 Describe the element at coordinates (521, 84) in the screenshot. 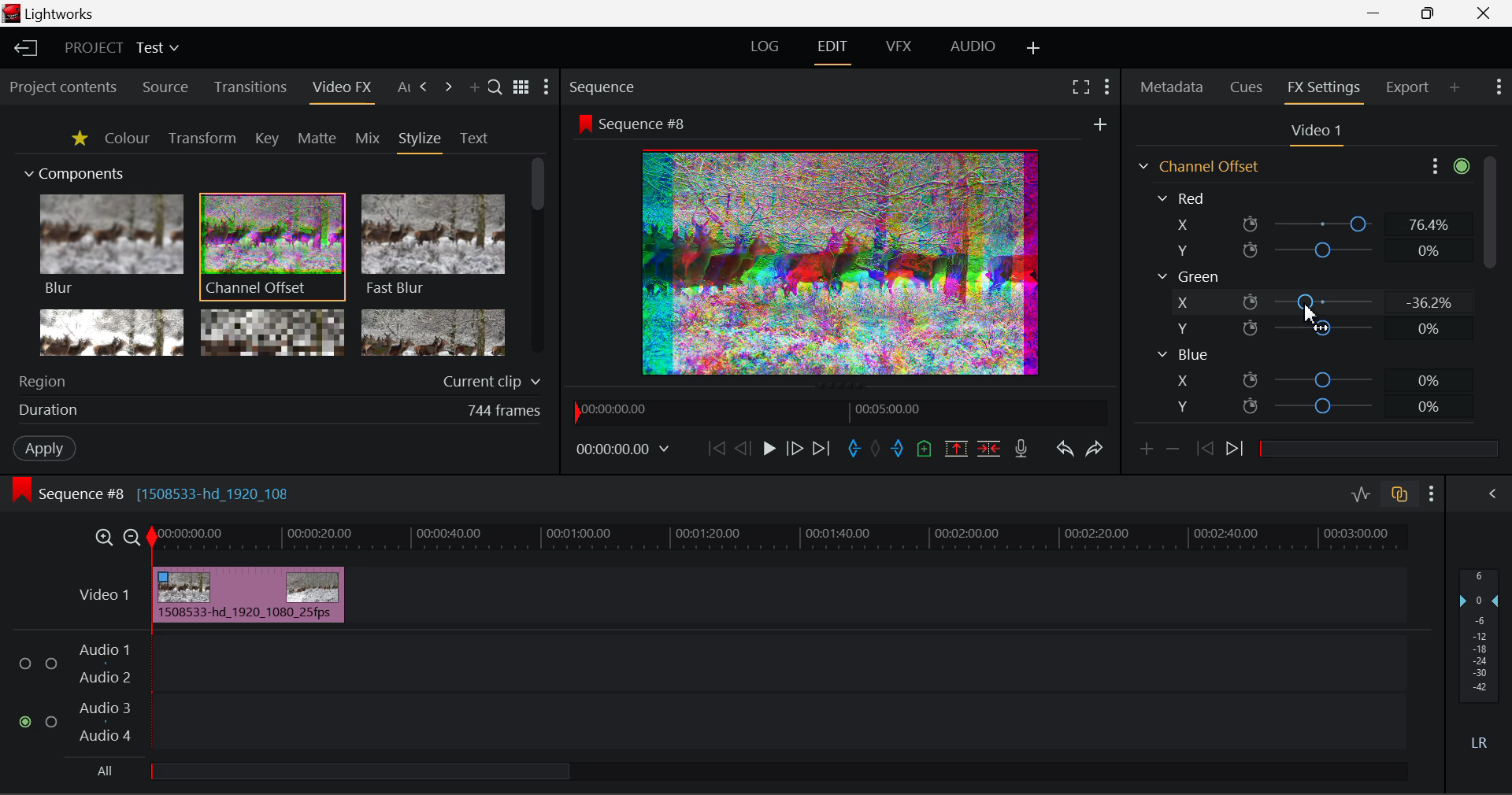

I see `Toggle between title and list view` at that location.